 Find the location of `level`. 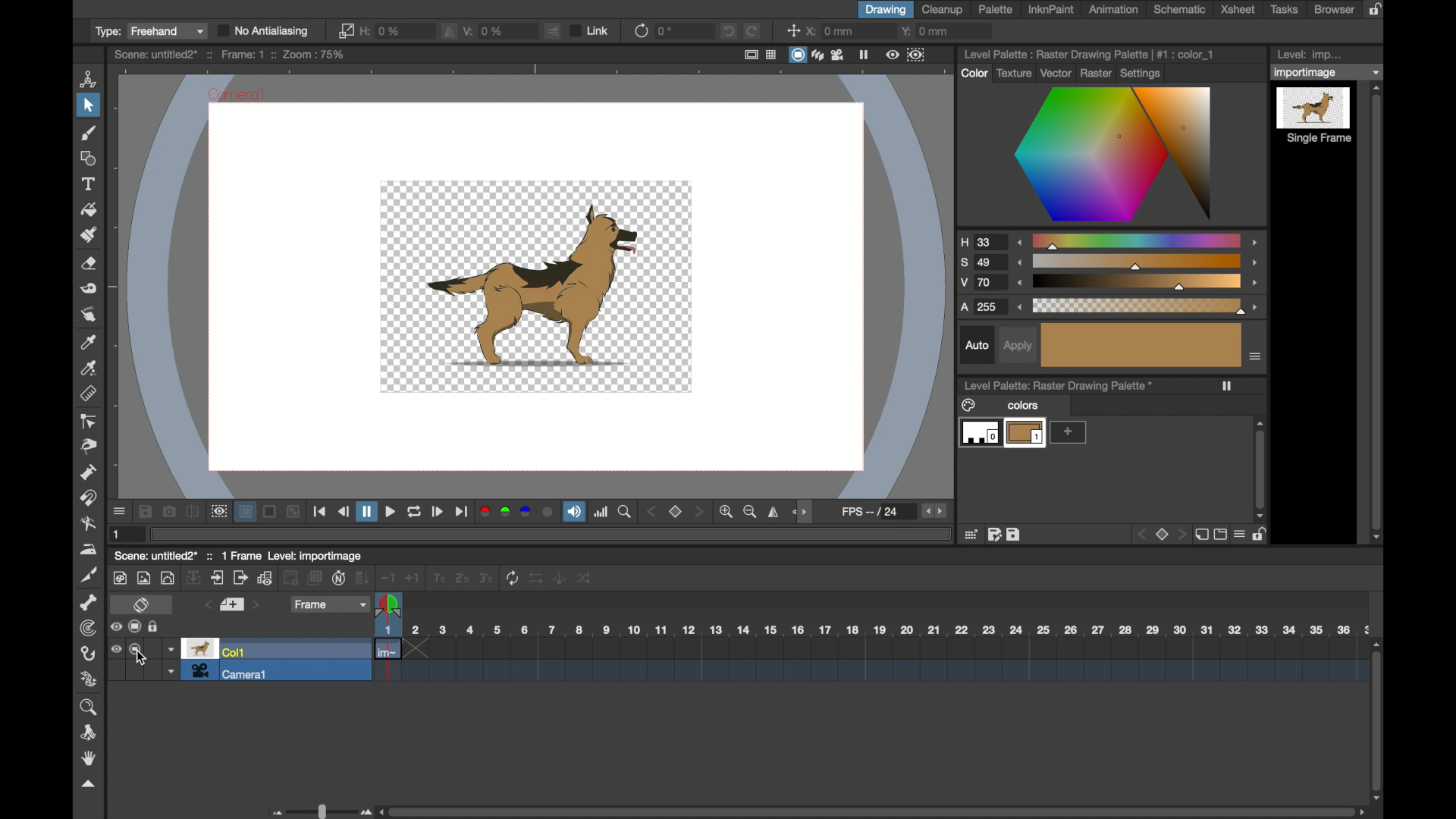

level is located at coordinates (1025, 434).